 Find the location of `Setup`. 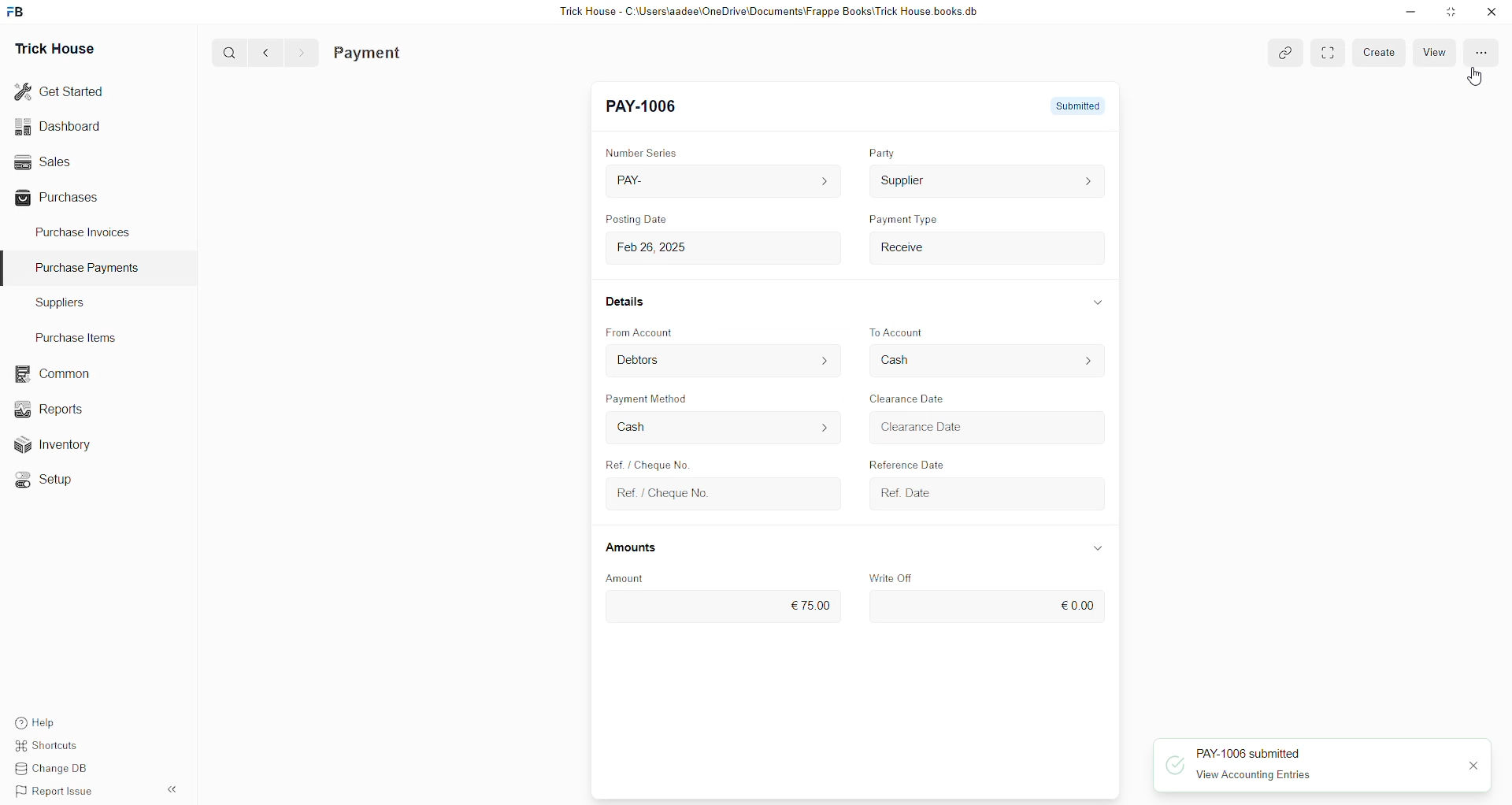

Setup is located at coordinates (43, 478).